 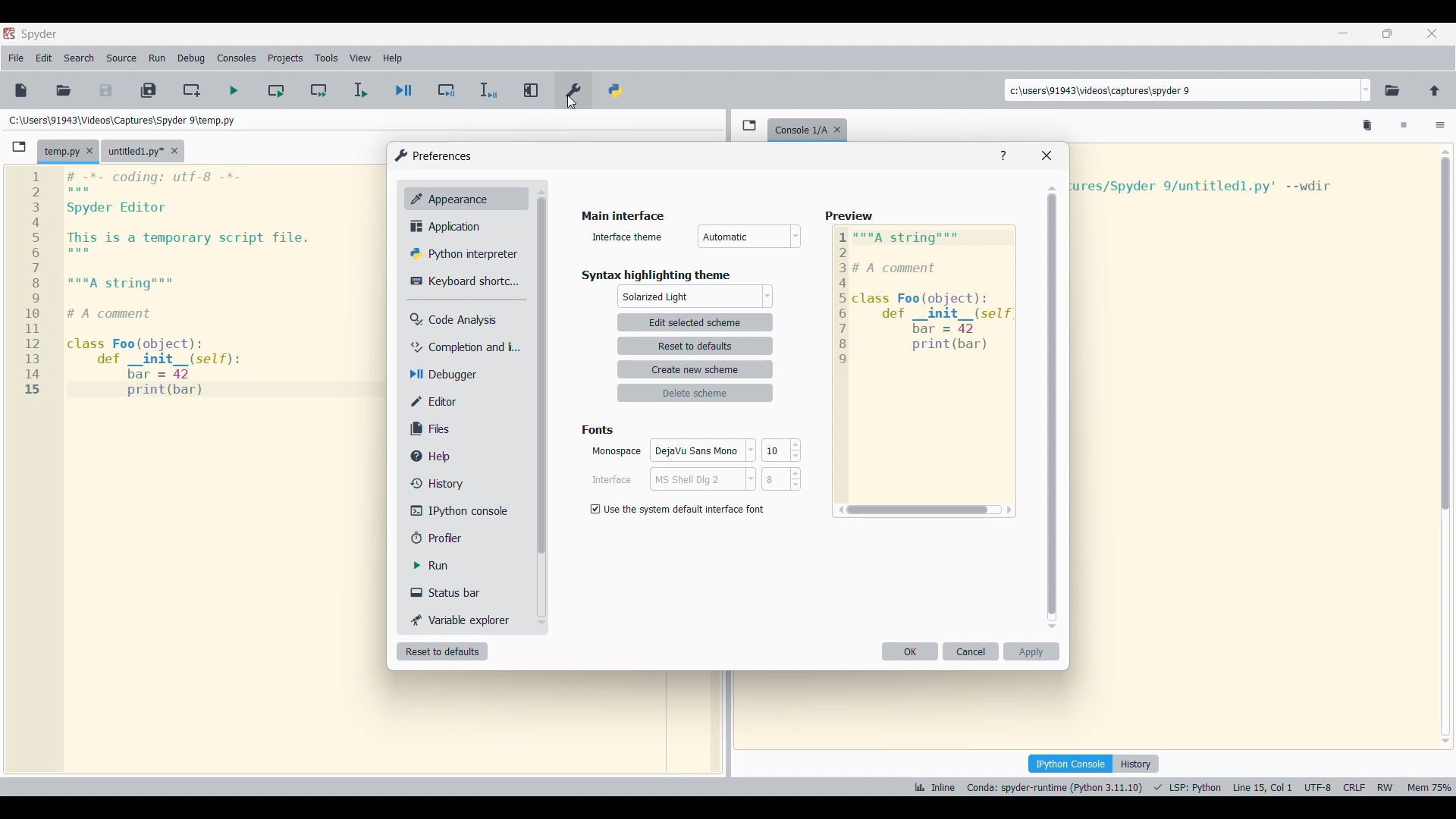 What do you see at coordinates (10, 33) in the screenshot?
I see `Software logo` at bounding box center [10, 33].